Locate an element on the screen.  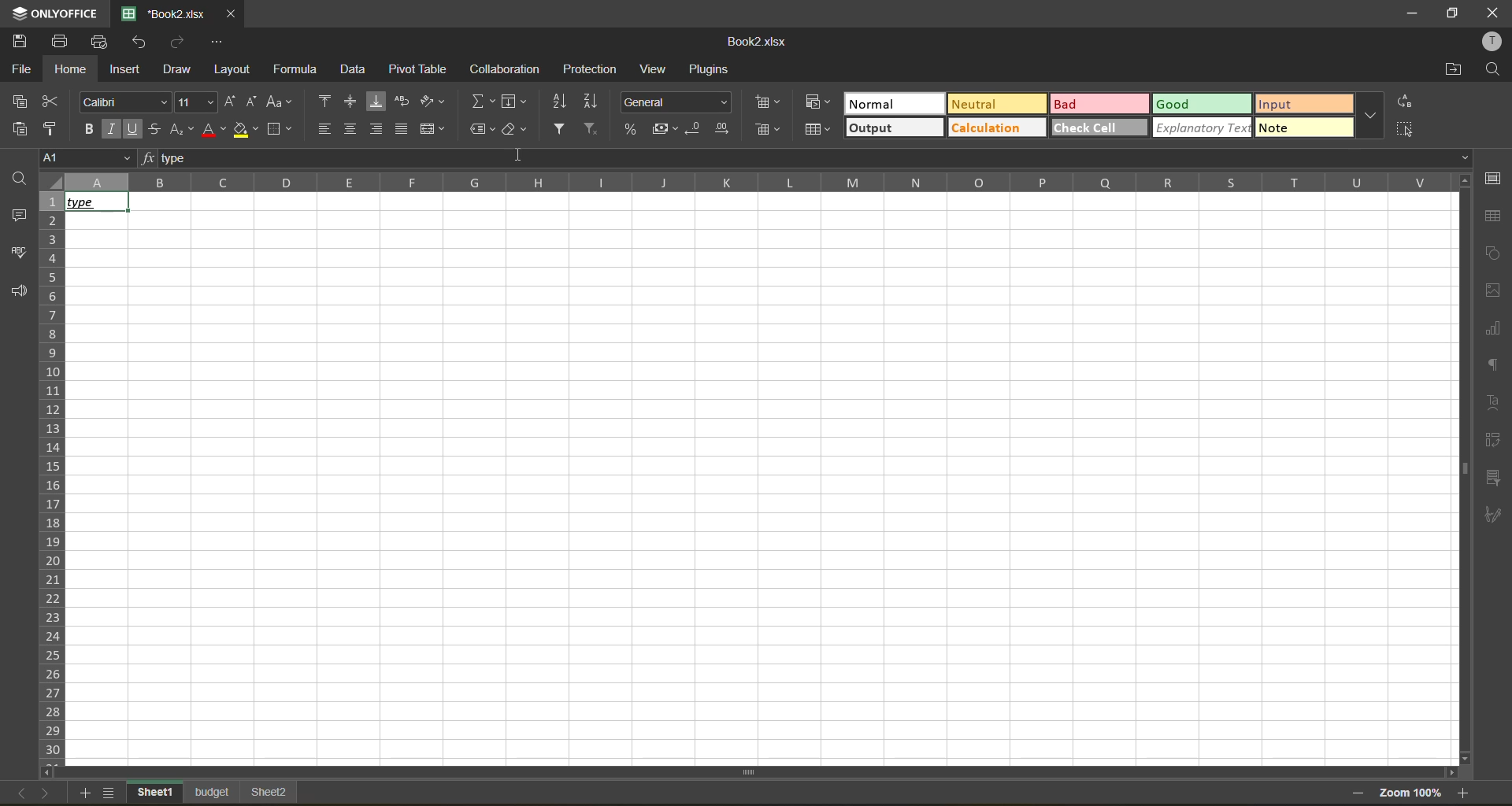
borders is located at coordinates (279, 131).